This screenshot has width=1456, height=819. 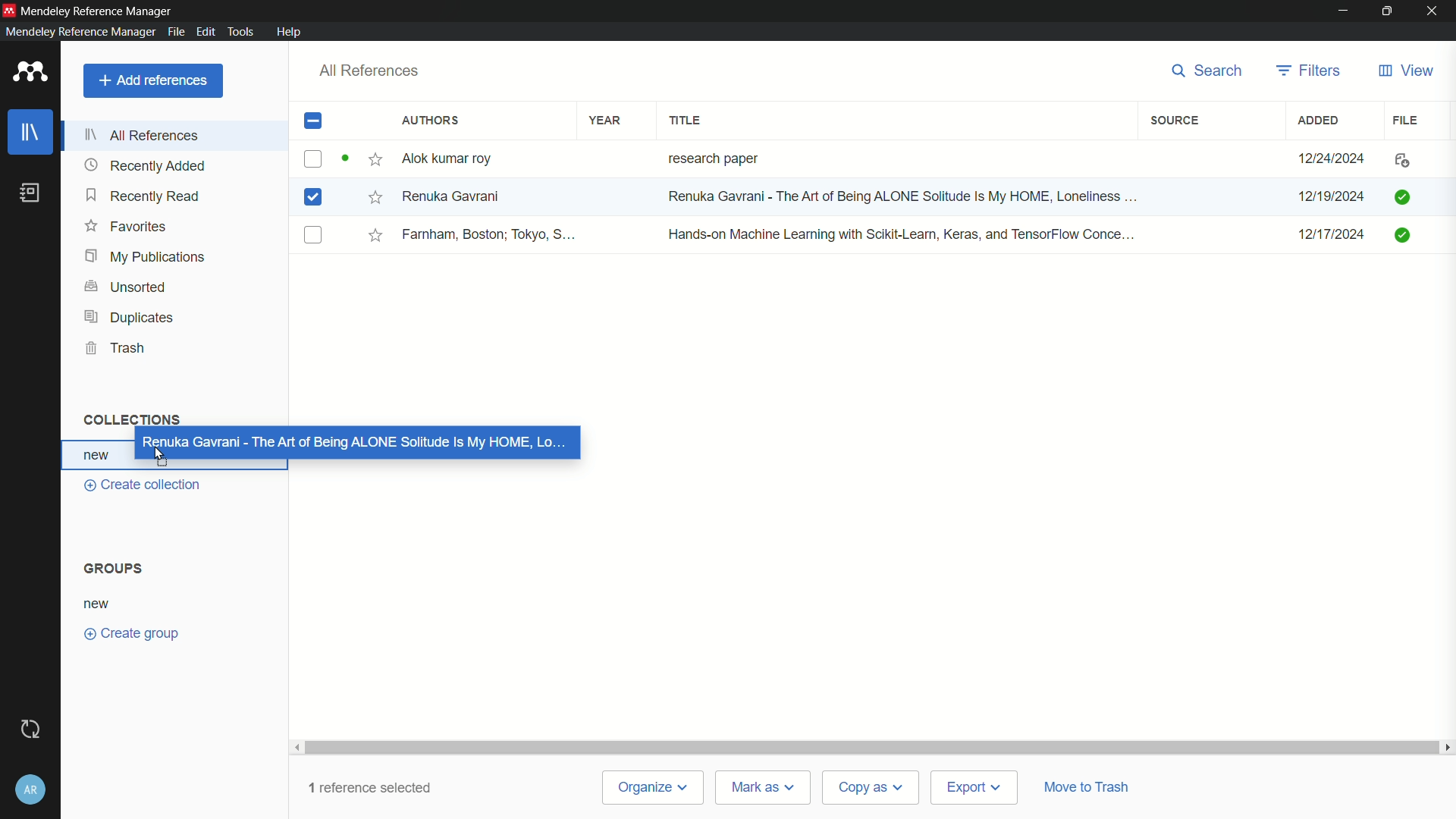 I want to click on added, so click(x=1319, y=121).